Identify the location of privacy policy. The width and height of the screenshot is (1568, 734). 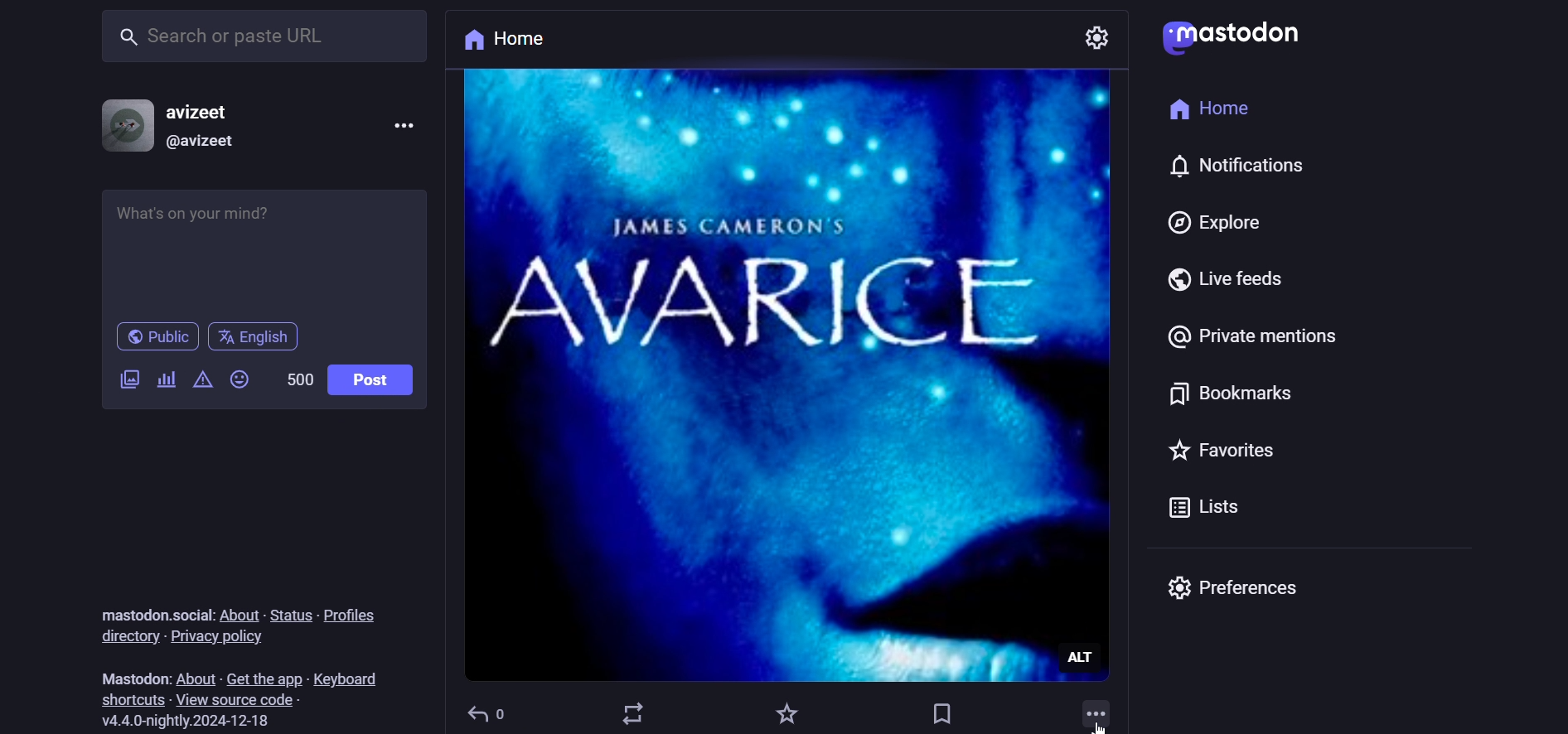
(221, 636).